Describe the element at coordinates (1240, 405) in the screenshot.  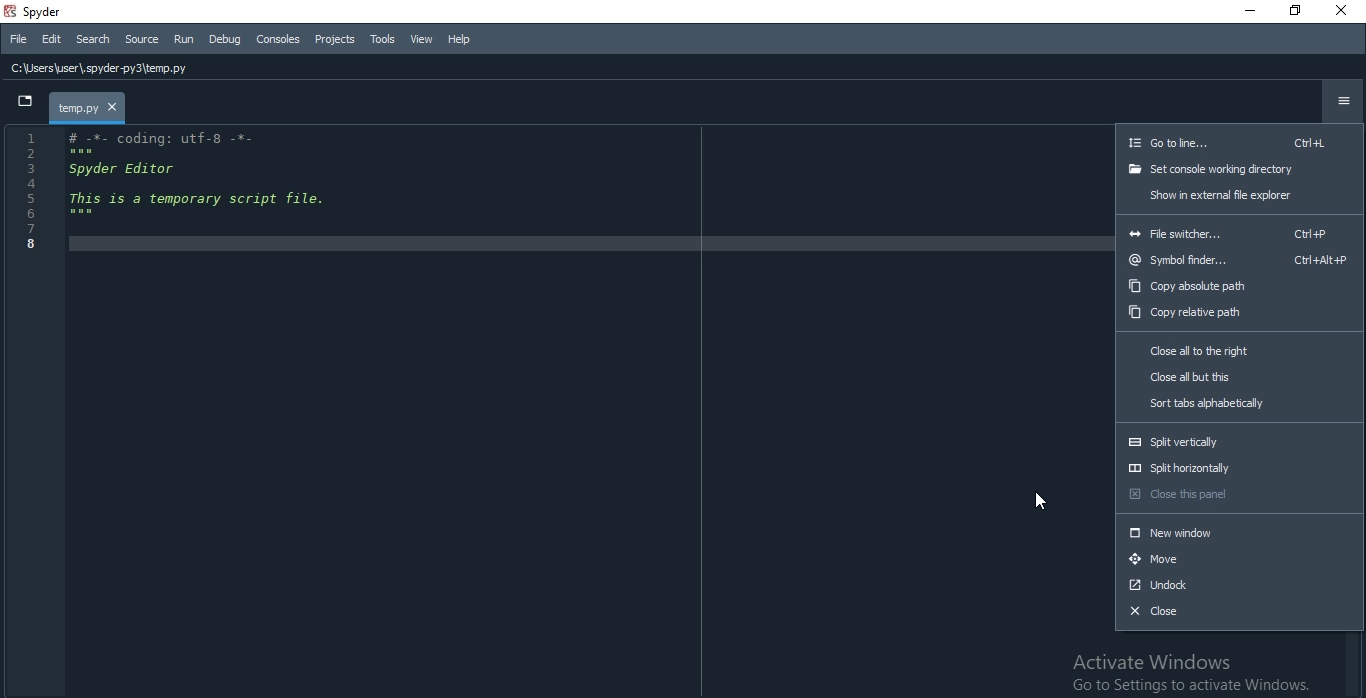
I see `sort tabs alphabetically` at that location.